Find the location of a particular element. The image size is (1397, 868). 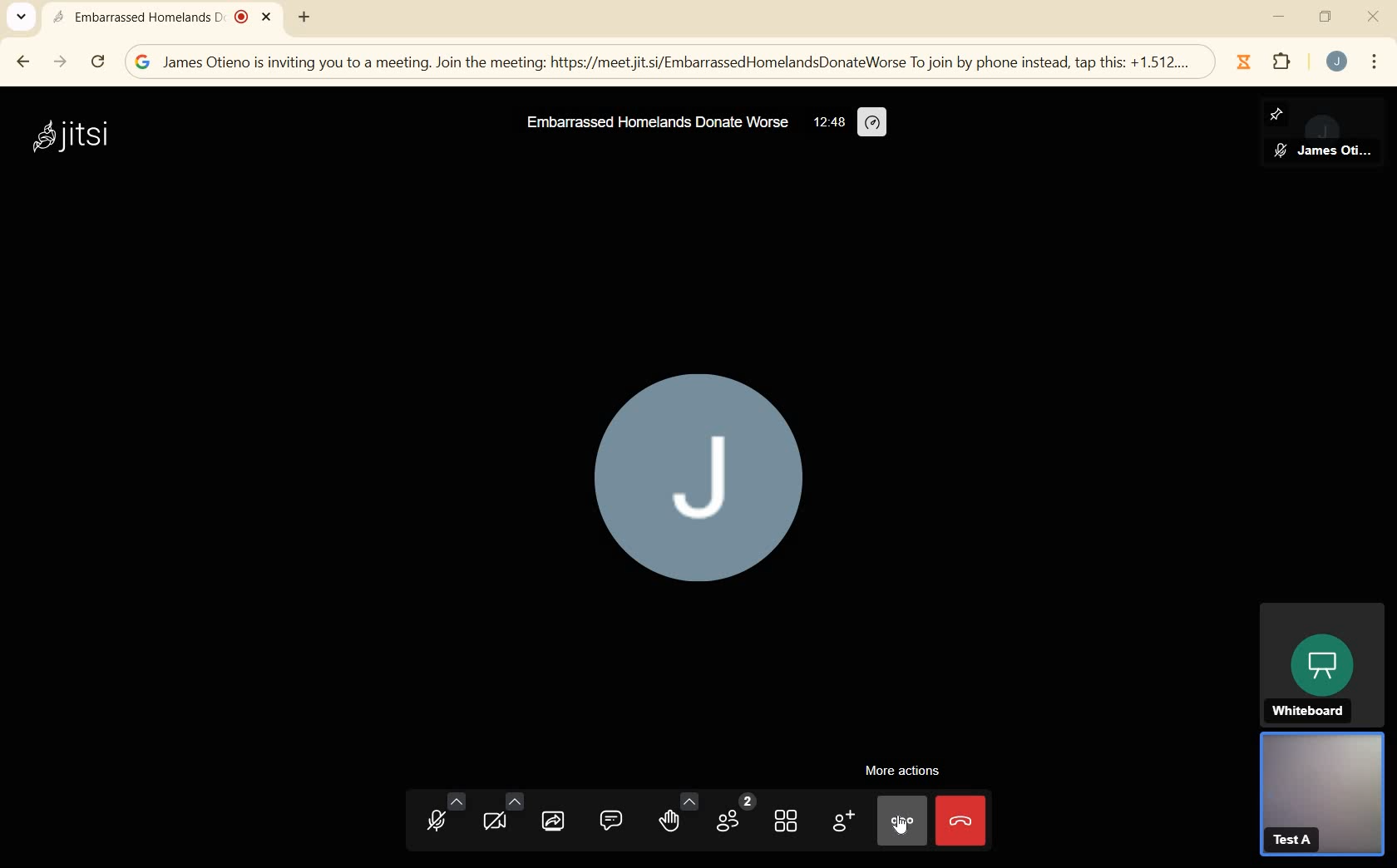

toggle tile view is located at coordinates (788, 824).